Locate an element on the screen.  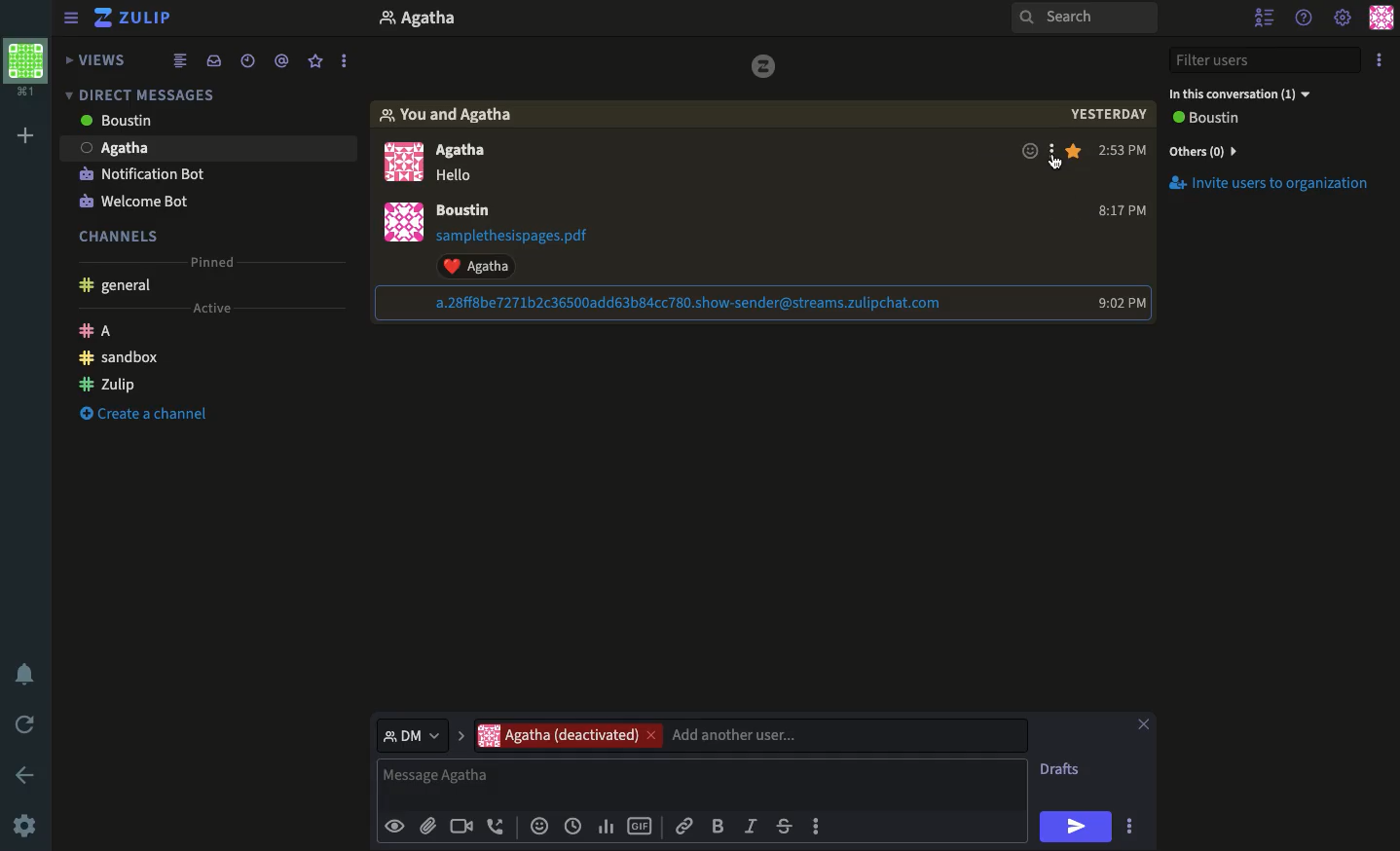
Welcome bot is located at coordinates (133, 202).